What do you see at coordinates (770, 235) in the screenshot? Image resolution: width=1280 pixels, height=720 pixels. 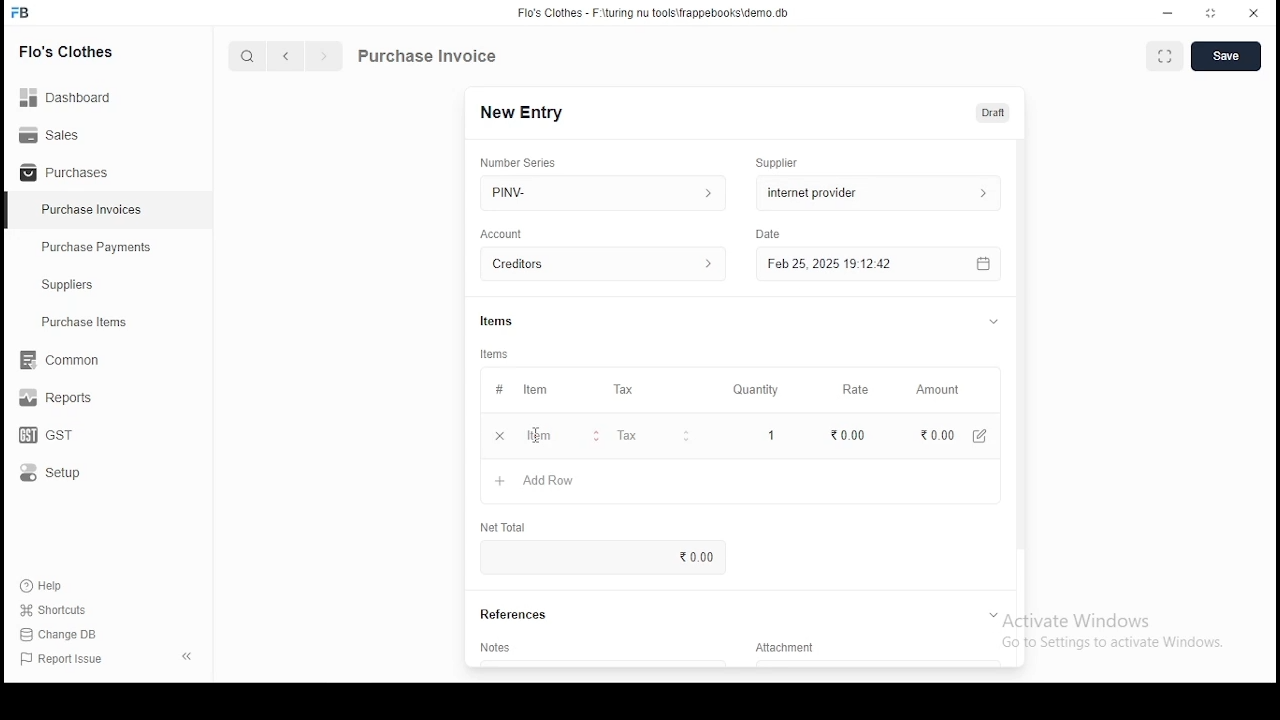 I see `Date` at bounding box center [770, 235].